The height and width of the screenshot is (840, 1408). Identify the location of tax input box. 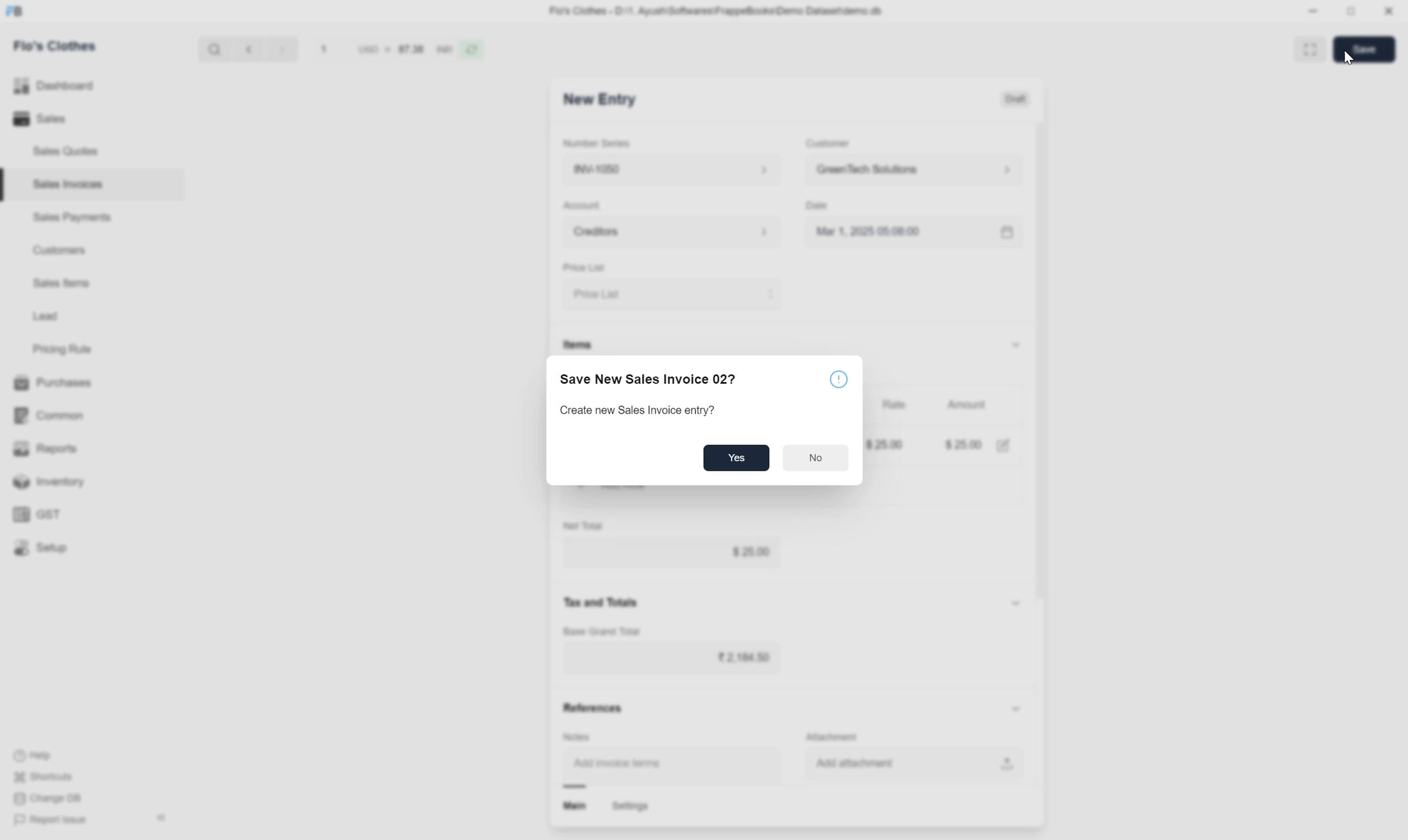
(673, 662).